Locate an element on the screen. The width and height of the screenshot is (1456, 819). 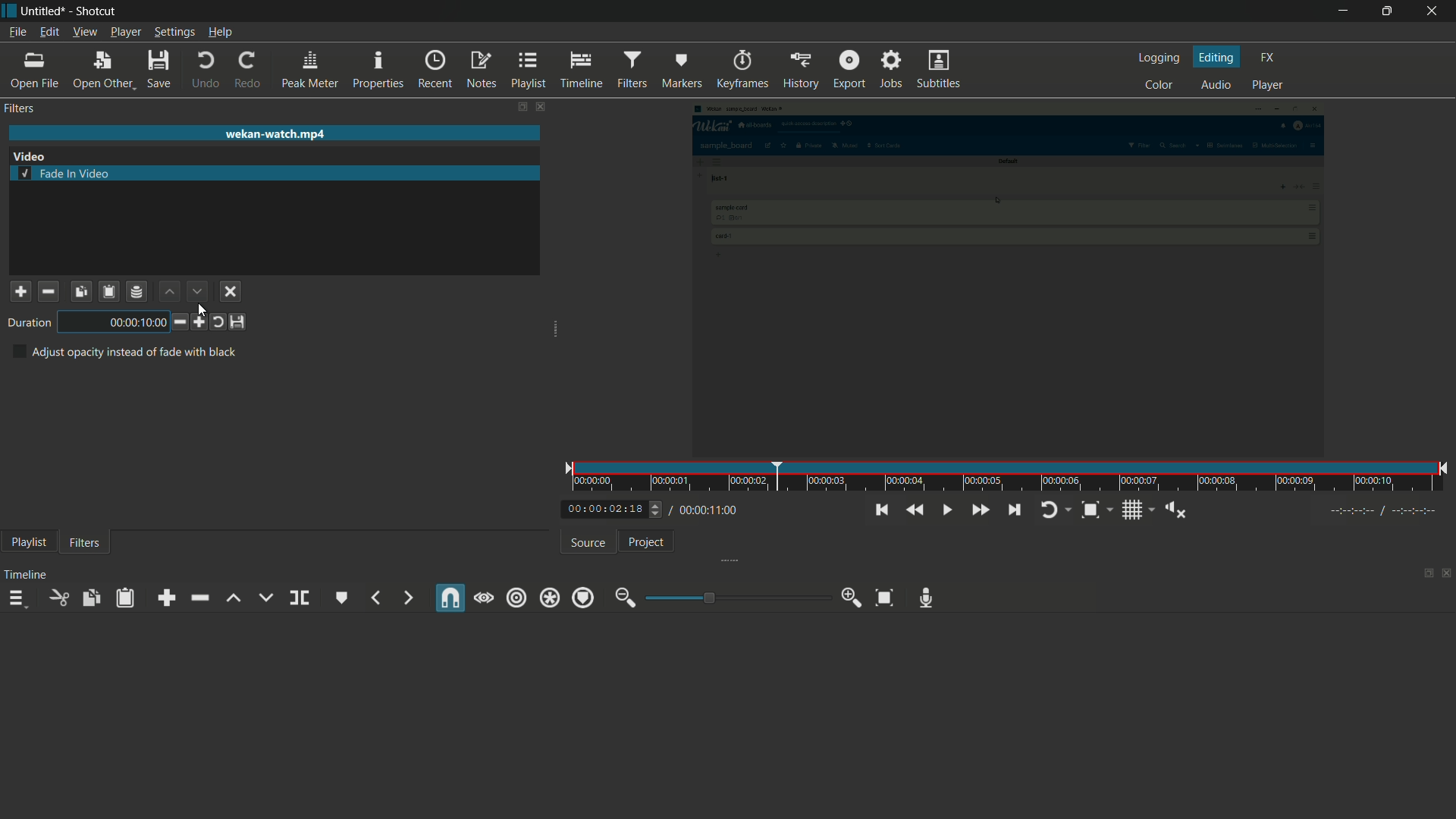
save is located at coordinates (158, 68).